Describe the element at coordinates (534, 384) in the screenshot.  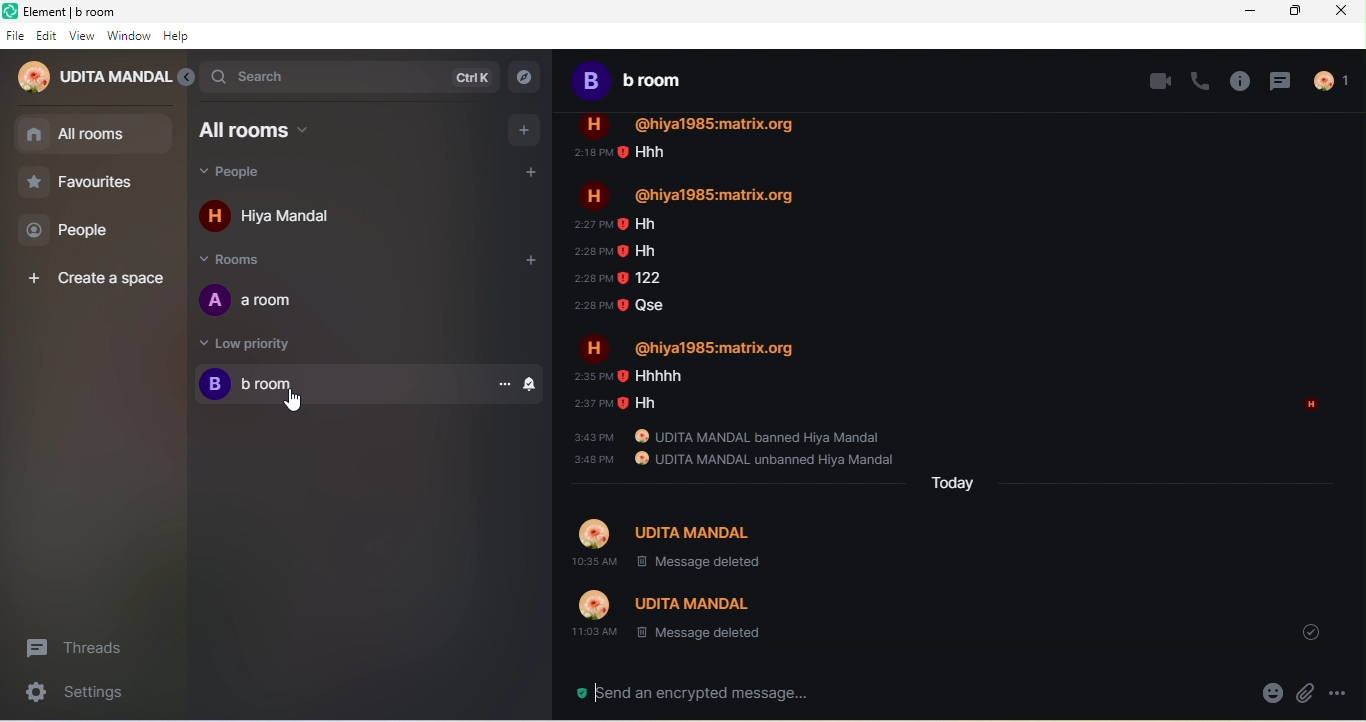
I see `notification` at that location.